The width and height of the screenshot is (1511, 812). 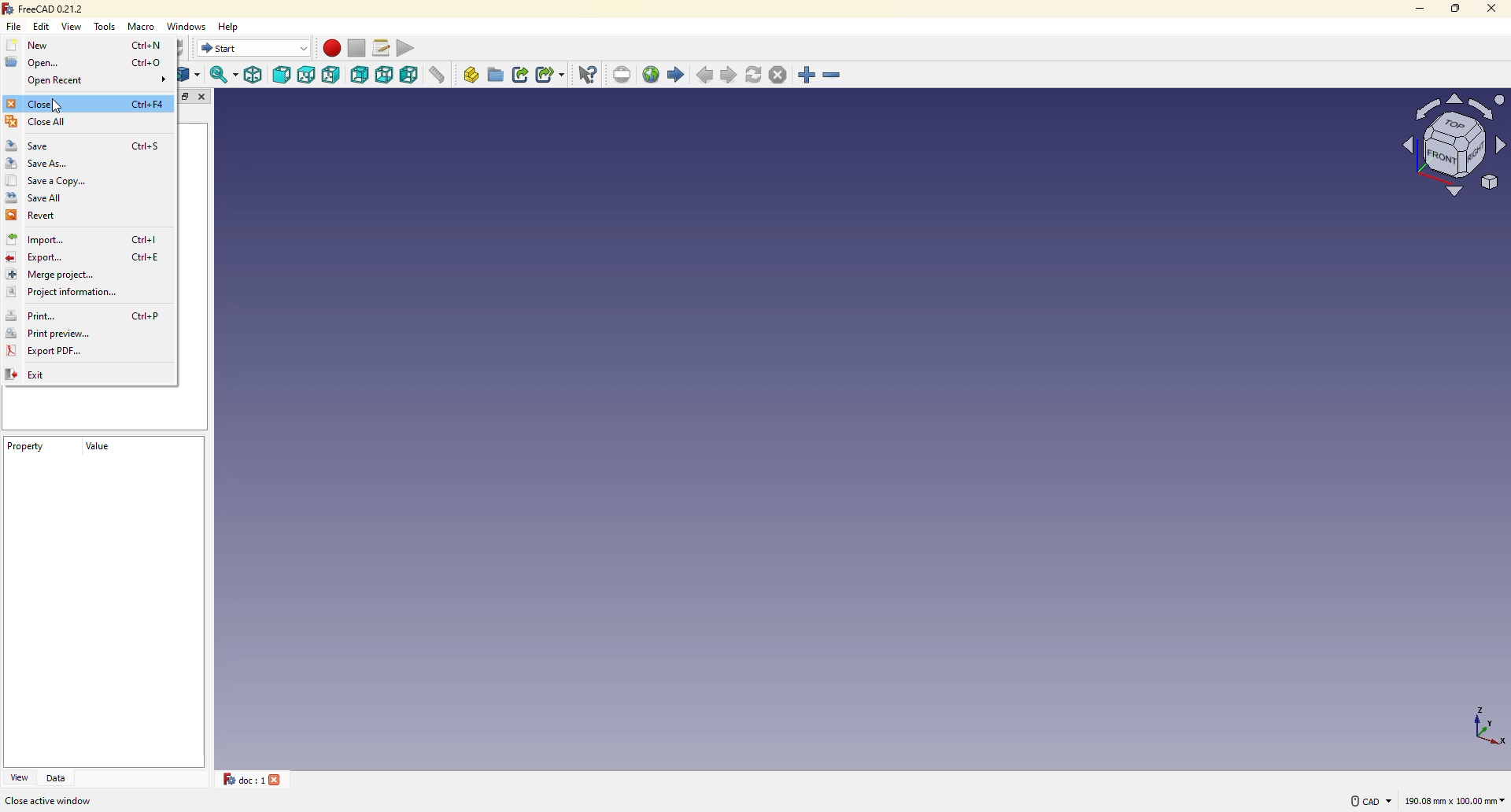 I want to click on ctrl+l, so click(x=146, y=240).